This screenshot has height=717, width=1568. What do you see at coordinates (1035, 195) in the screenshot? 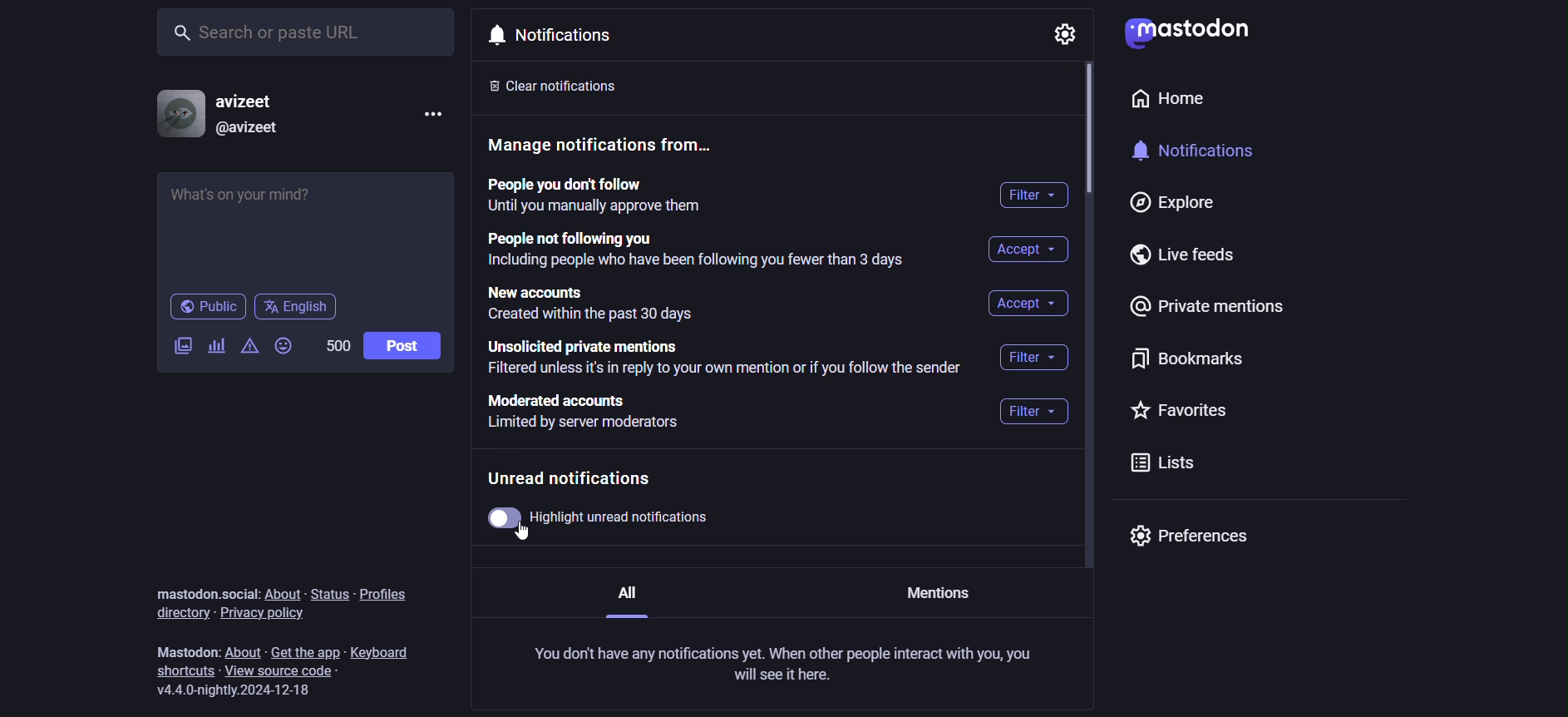
I see `filter` at bounding box center [1035, 195].